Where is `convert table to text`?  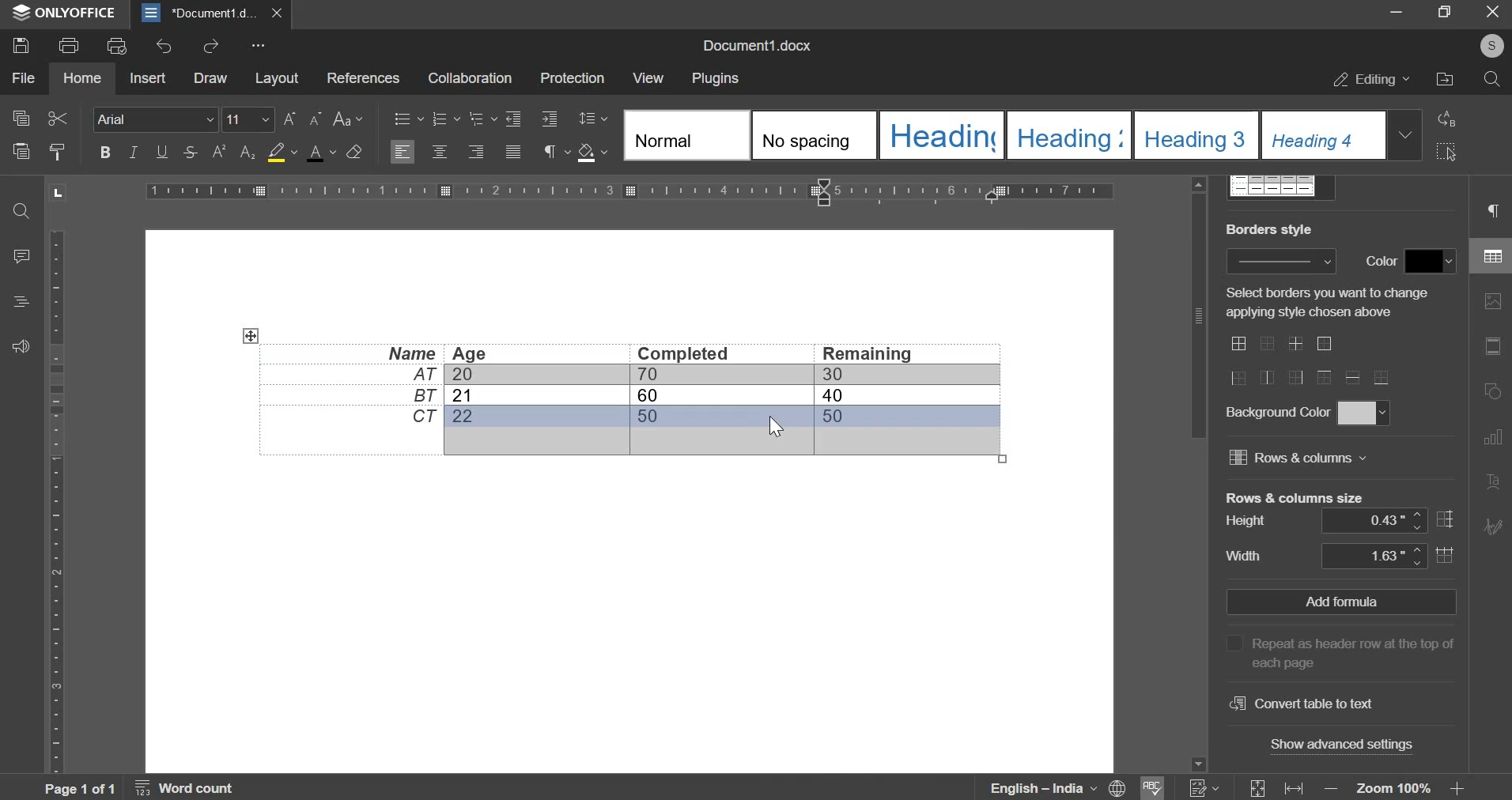 convert table to text is located at coordinates (1298, 704).